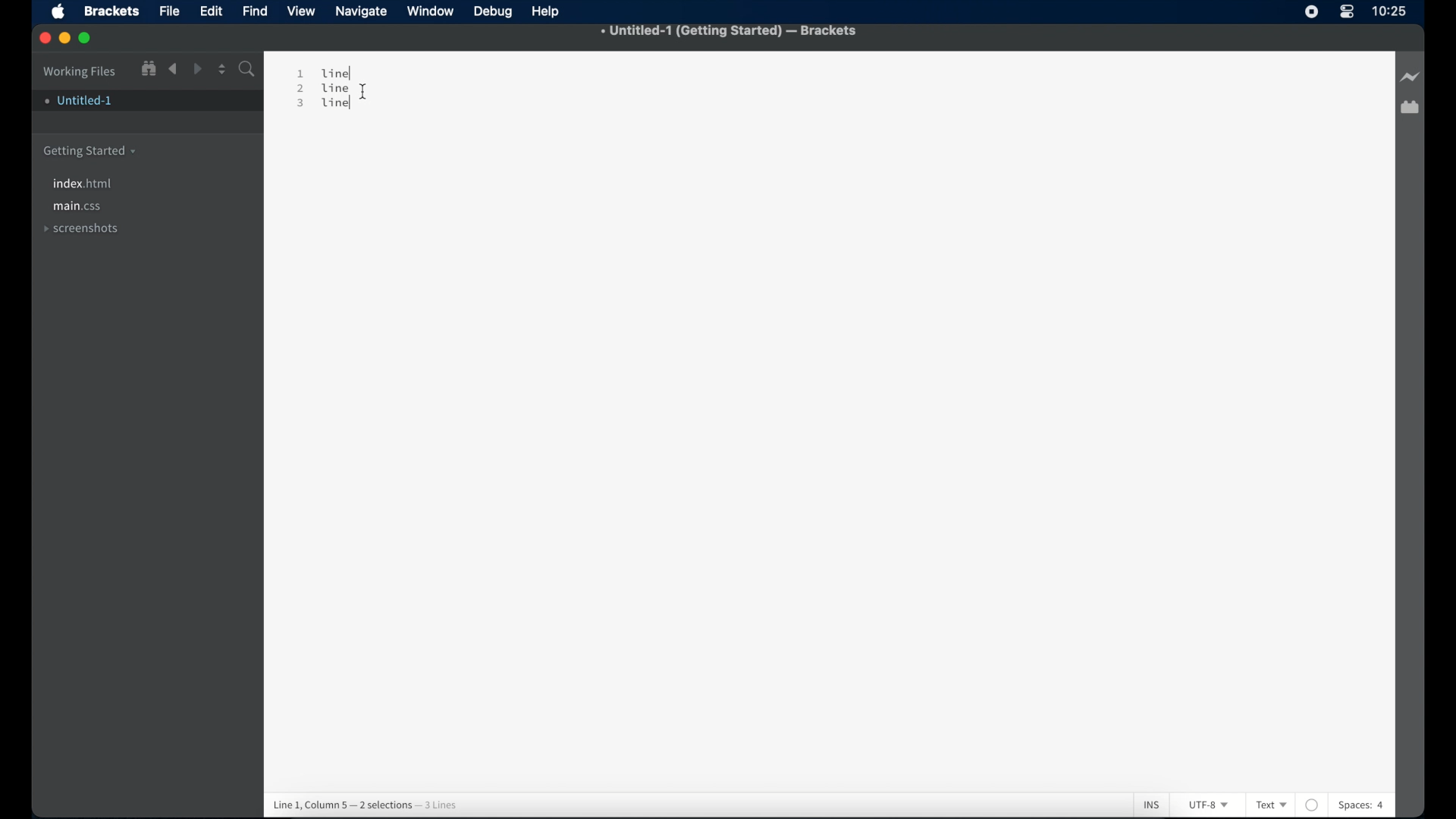  I want to click on debug, so click(494, 12).